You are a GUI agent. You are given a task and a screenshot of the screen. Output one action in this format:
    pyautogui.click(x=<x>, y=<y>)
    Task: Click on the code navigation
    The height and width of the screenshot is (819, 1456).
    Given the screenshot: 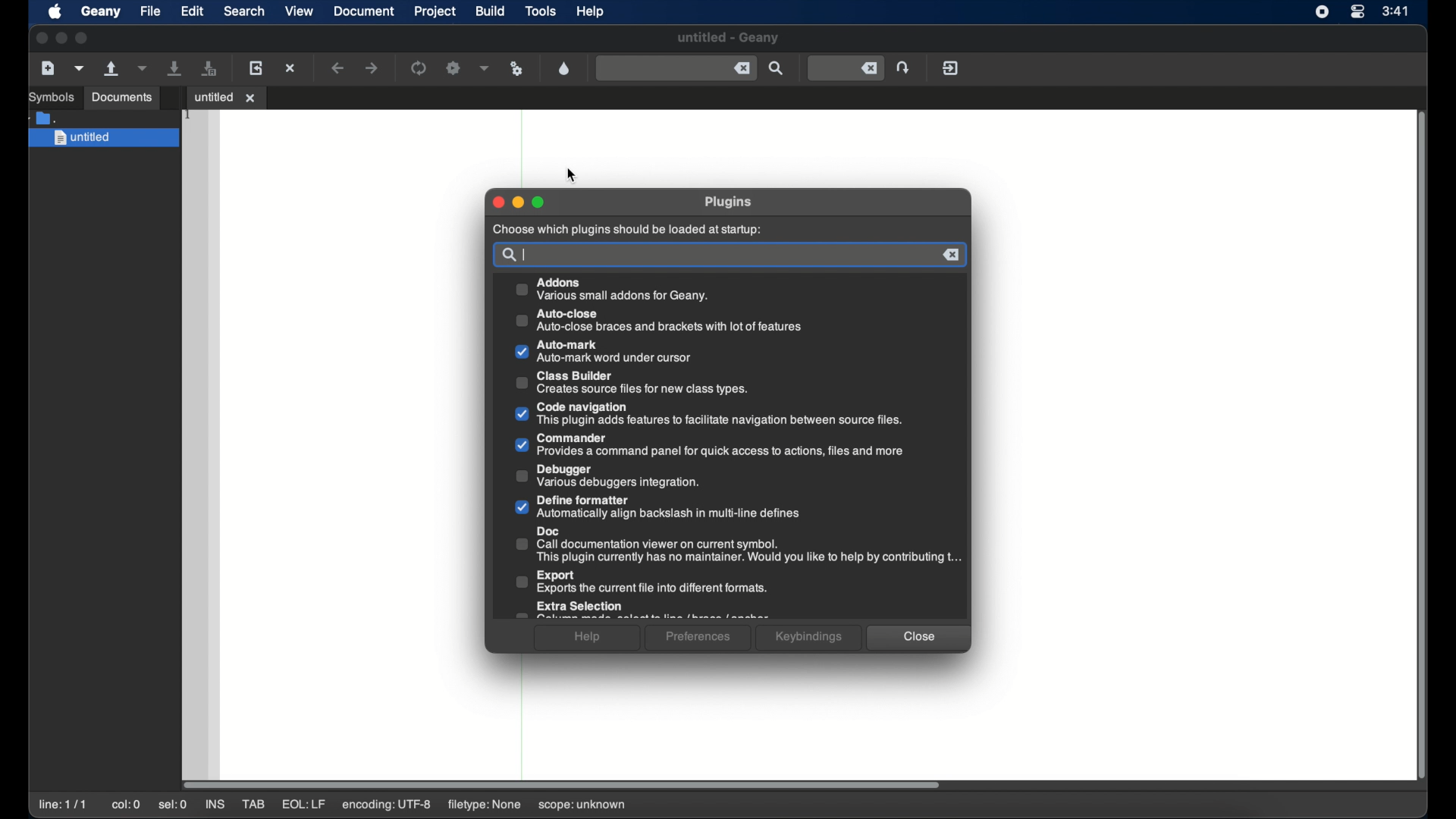 What is the action you would take?
    pyautogui.click(x=707, y=413)
    